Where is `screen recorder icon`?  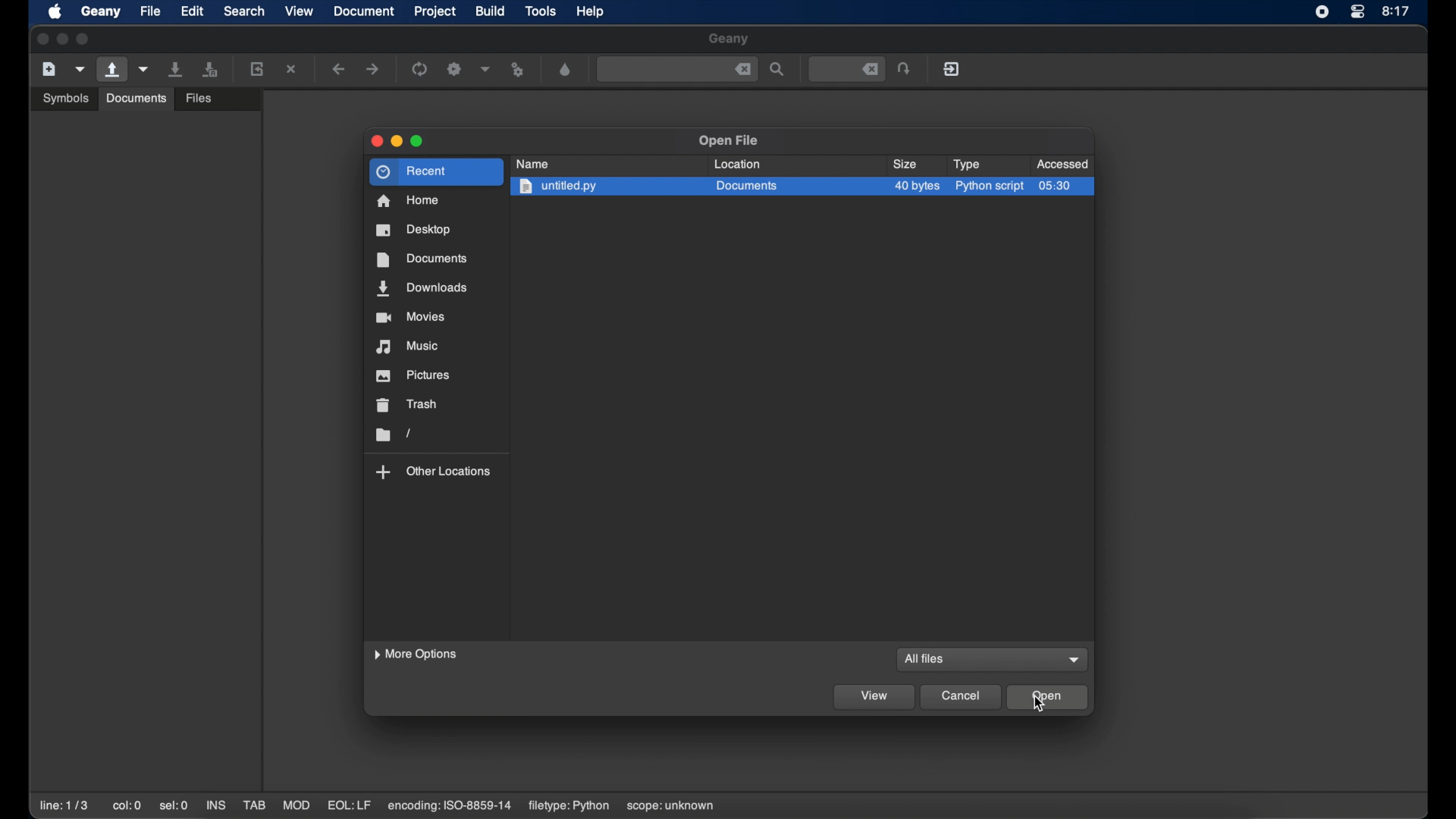
screen recorder icon is located at coordinates (1321, 12).